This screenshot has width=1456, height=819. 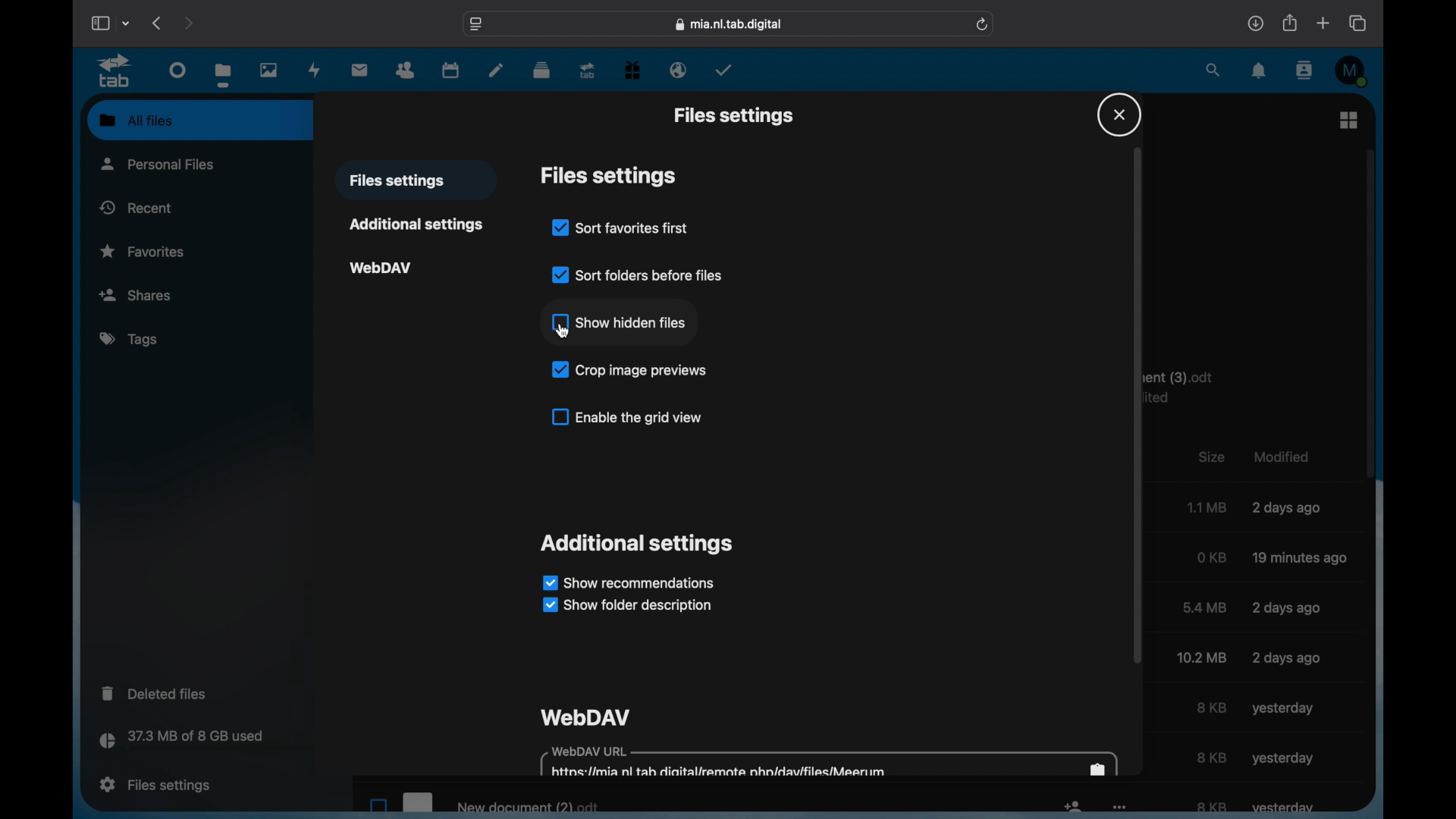 What do you see at coordinates (1288, 23) in the screenshot?
I see `share` at bounding box center [1288, 23].